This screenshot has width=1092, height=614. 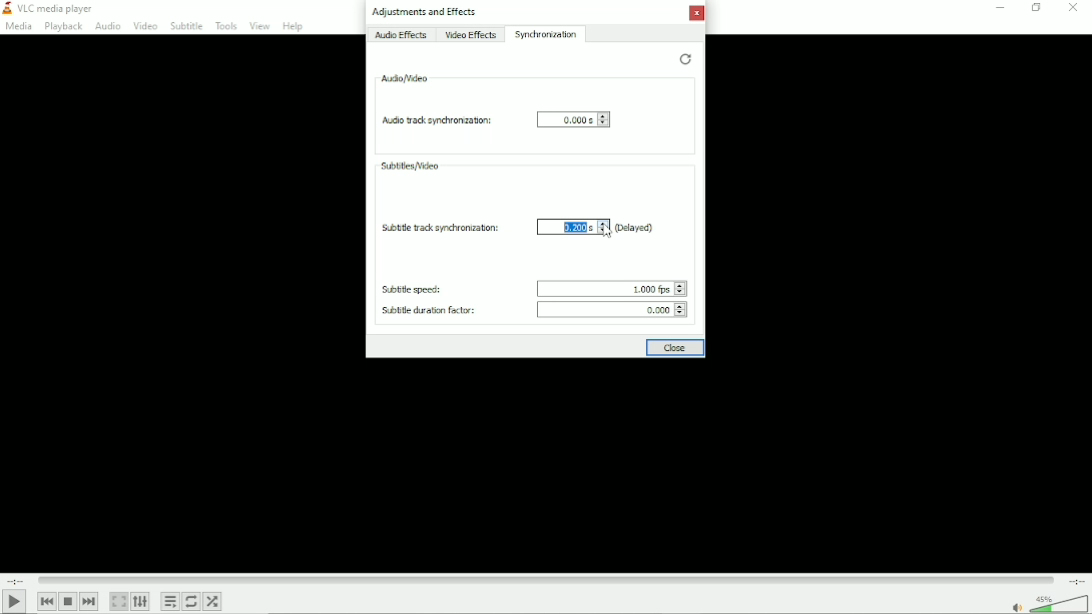 I want to click on Toggle playlist, so click(x=170, y=601).